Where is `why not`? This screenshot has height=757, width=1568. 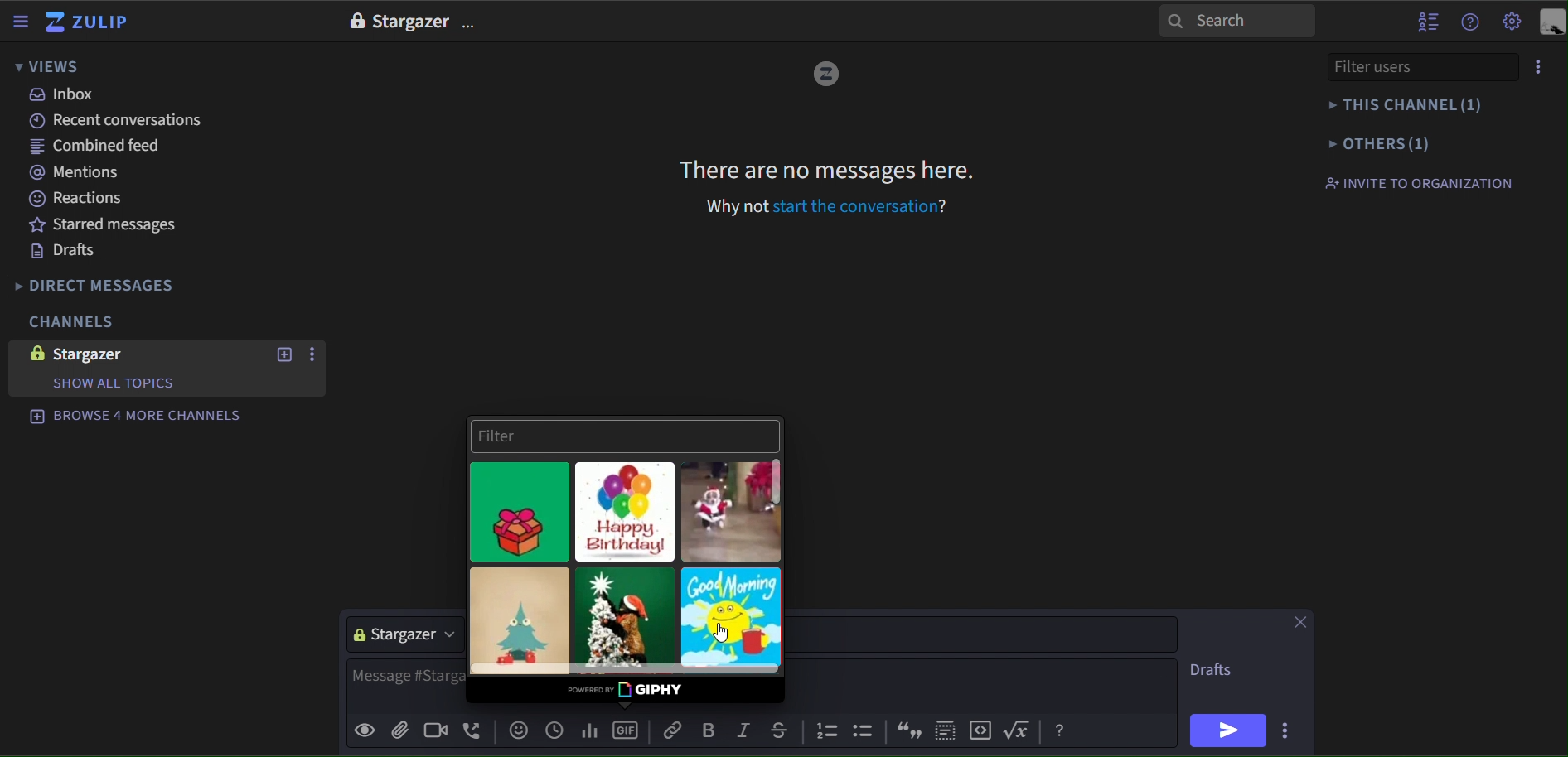
why not is located at coordinates (738, 206).